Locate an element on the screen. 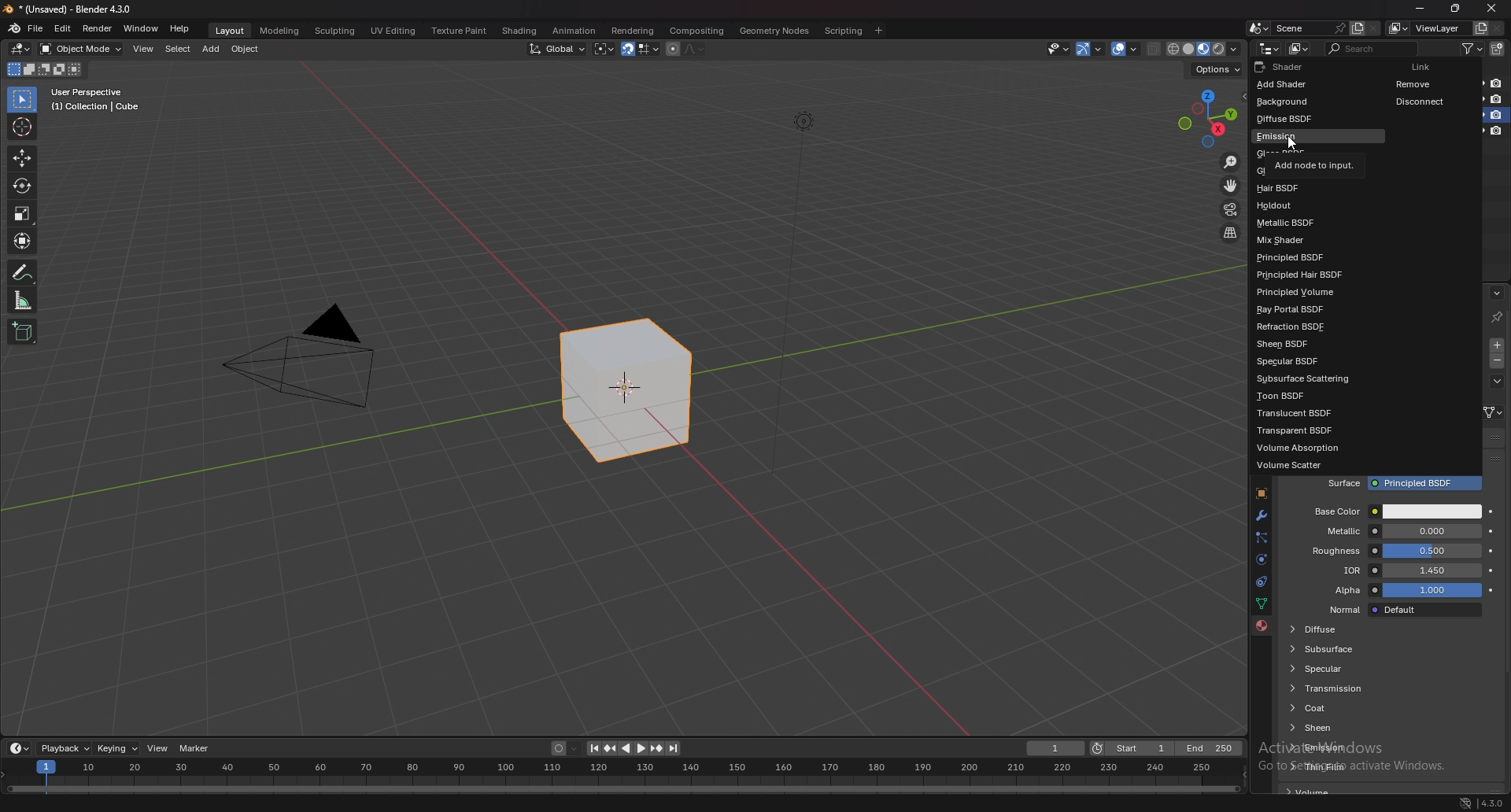  link is located at coordinates (1428, 66).